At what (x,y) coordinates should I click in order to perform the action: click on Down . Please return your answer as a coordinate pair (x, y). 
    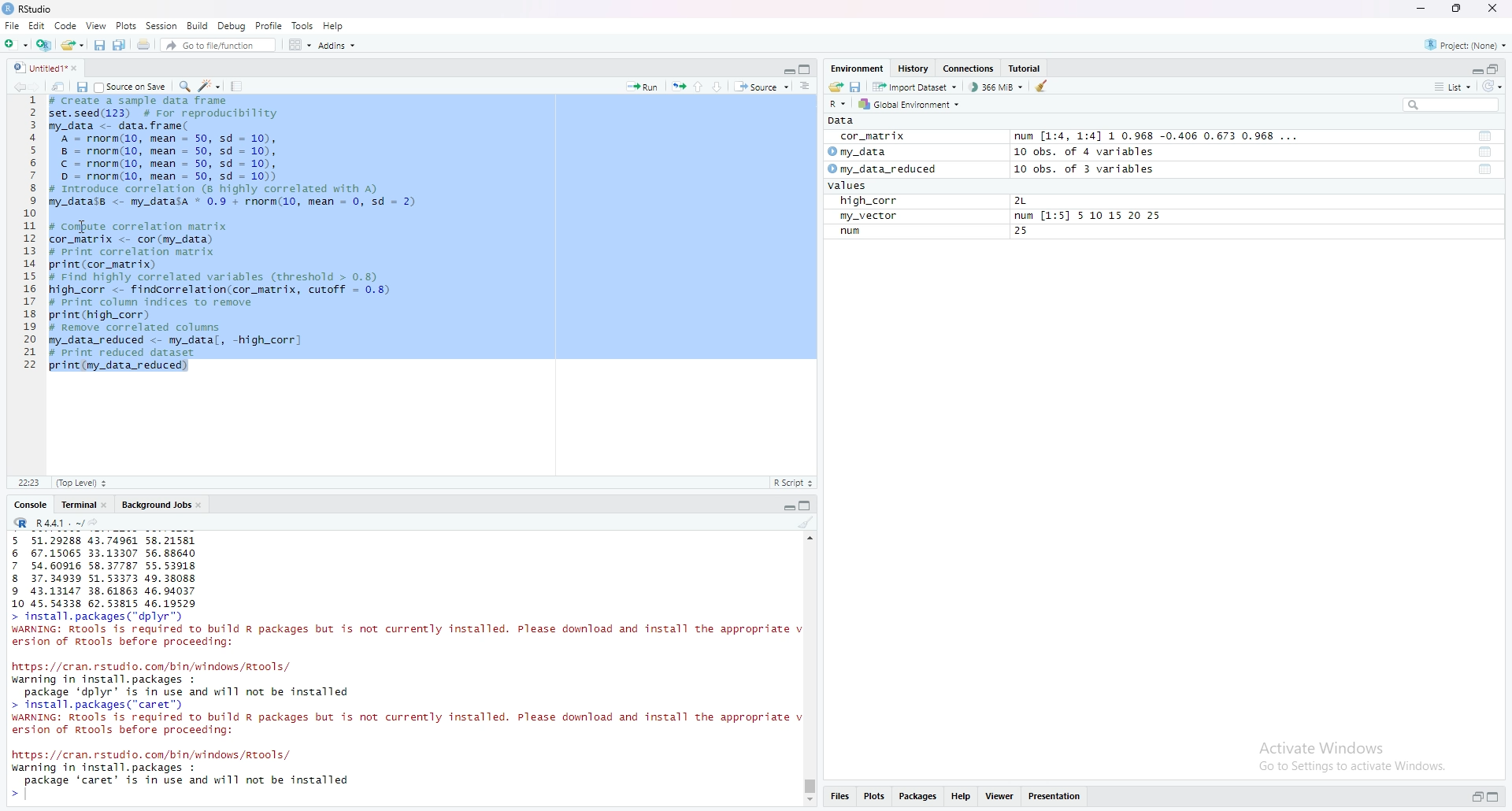
    Looking at the image, I should click on (717, 87).